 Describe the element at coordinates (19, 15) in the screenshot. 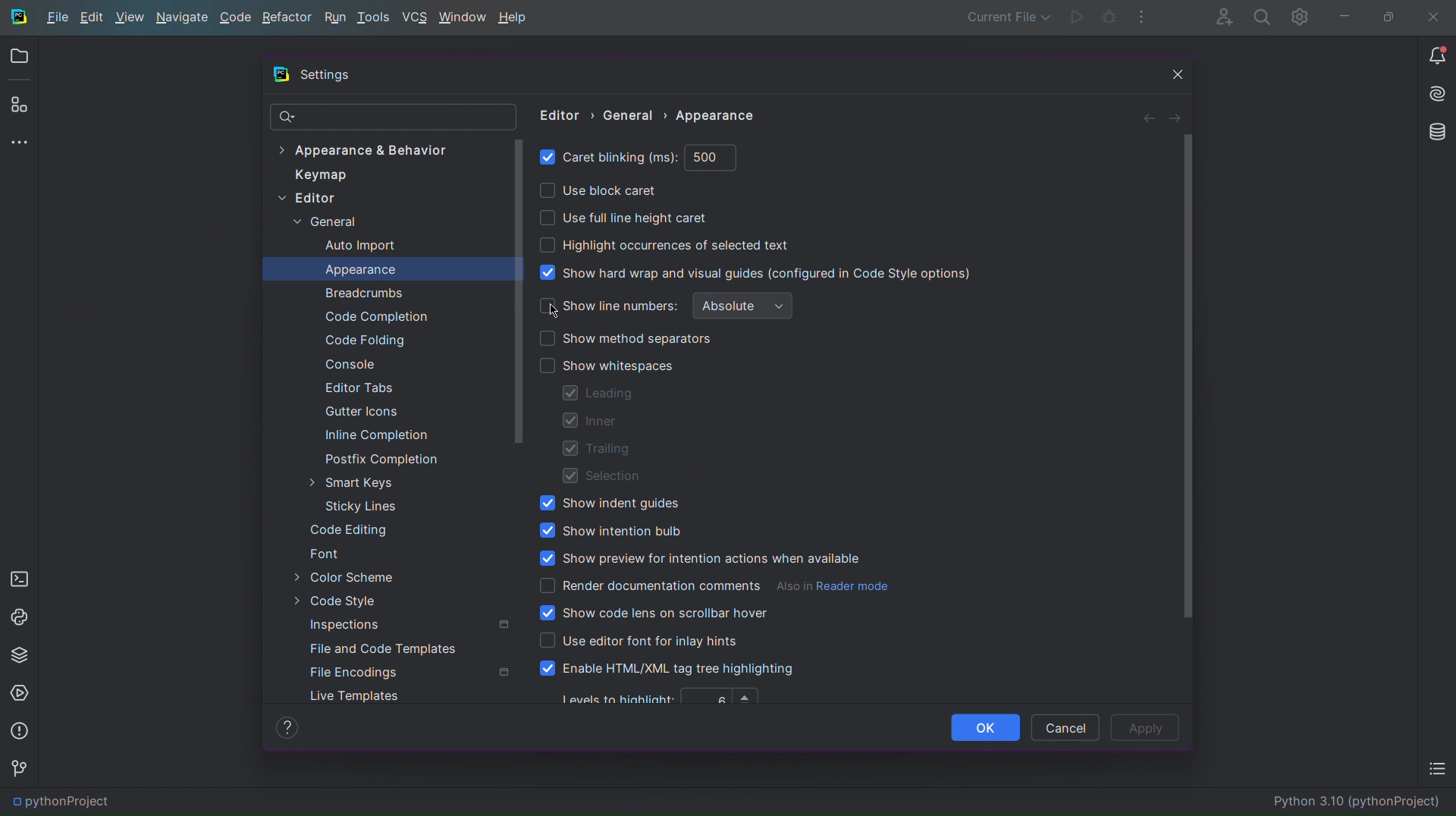

I see `Logo` at that location.